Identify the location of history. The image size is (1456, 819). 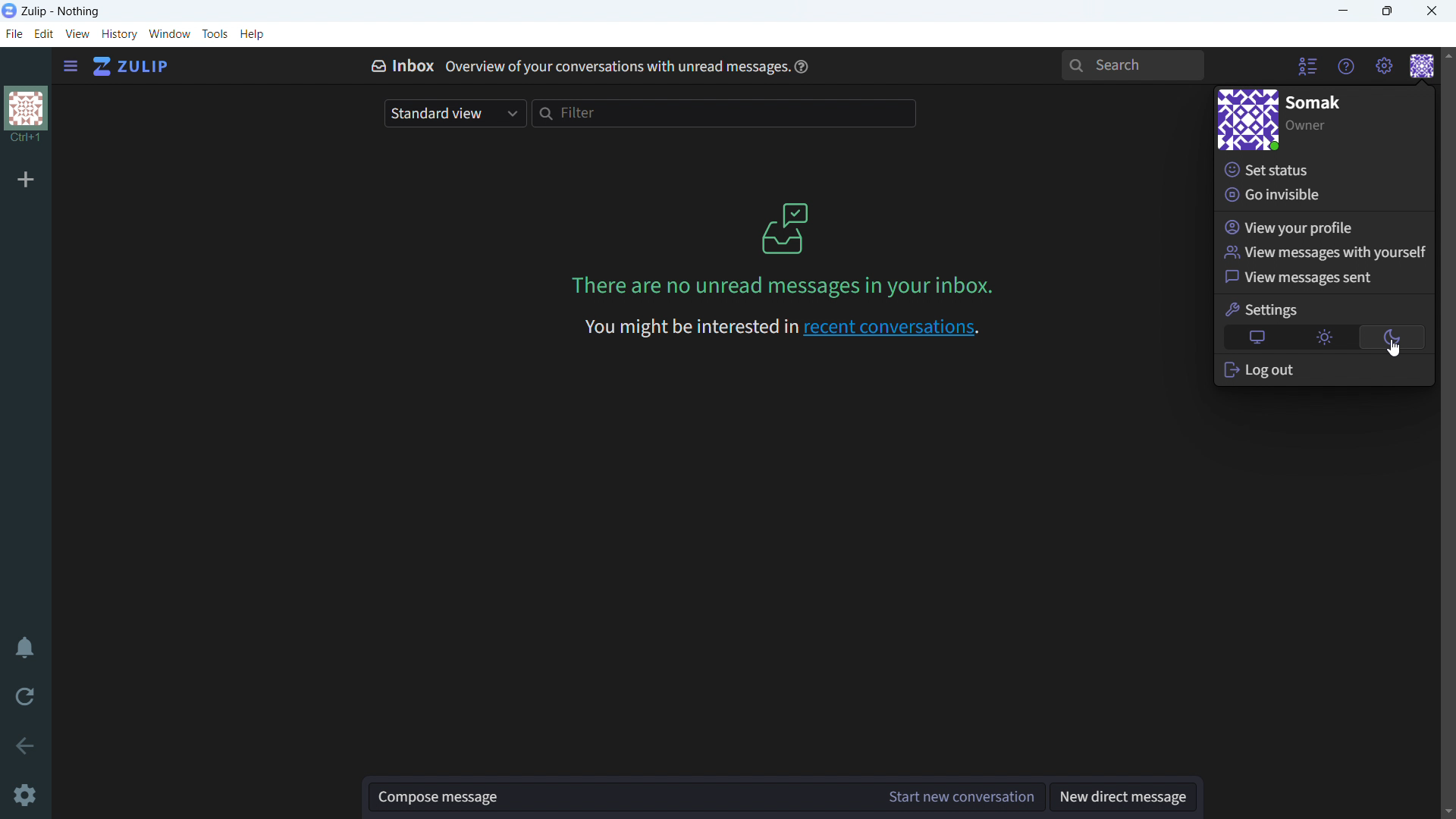
(121, 34).